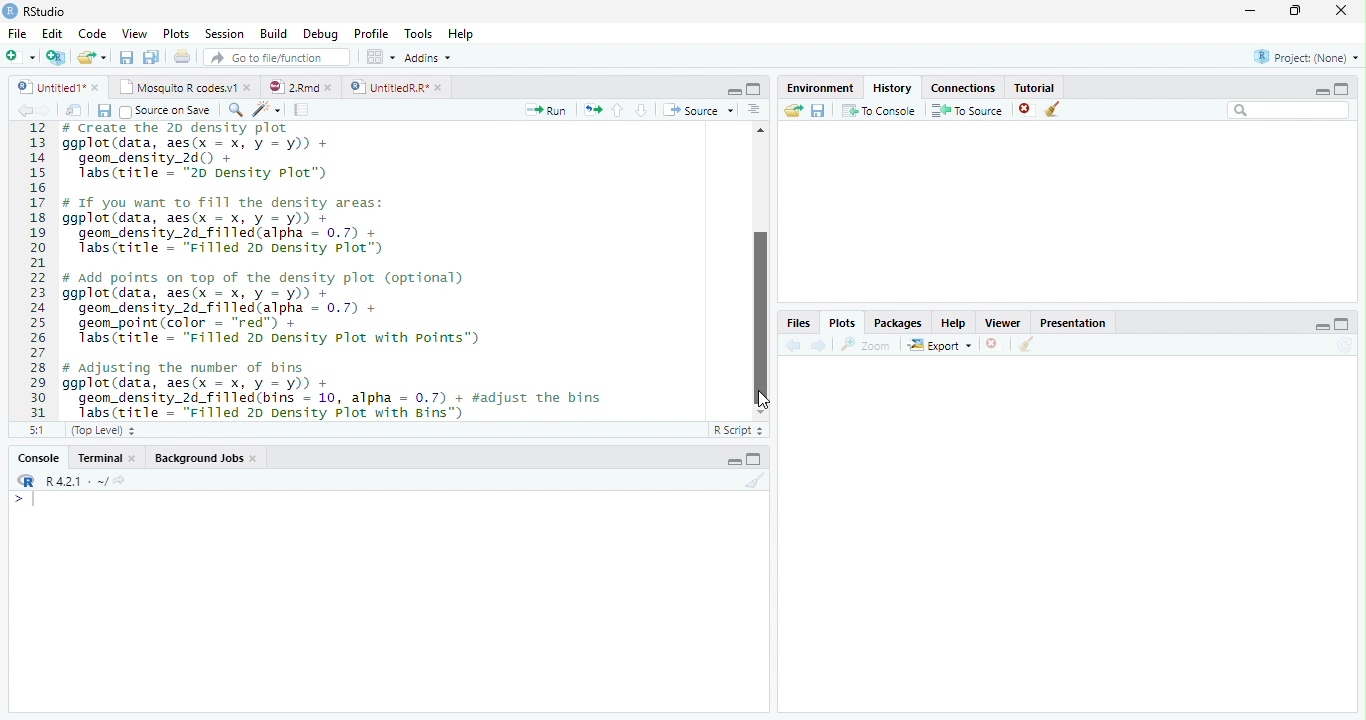 This screenshot has height=720, width=1366. What do you see at coordinates (387, 86) in the screenshot?
I see `UnttiedR Rr”` at bounding box center [387, 86].